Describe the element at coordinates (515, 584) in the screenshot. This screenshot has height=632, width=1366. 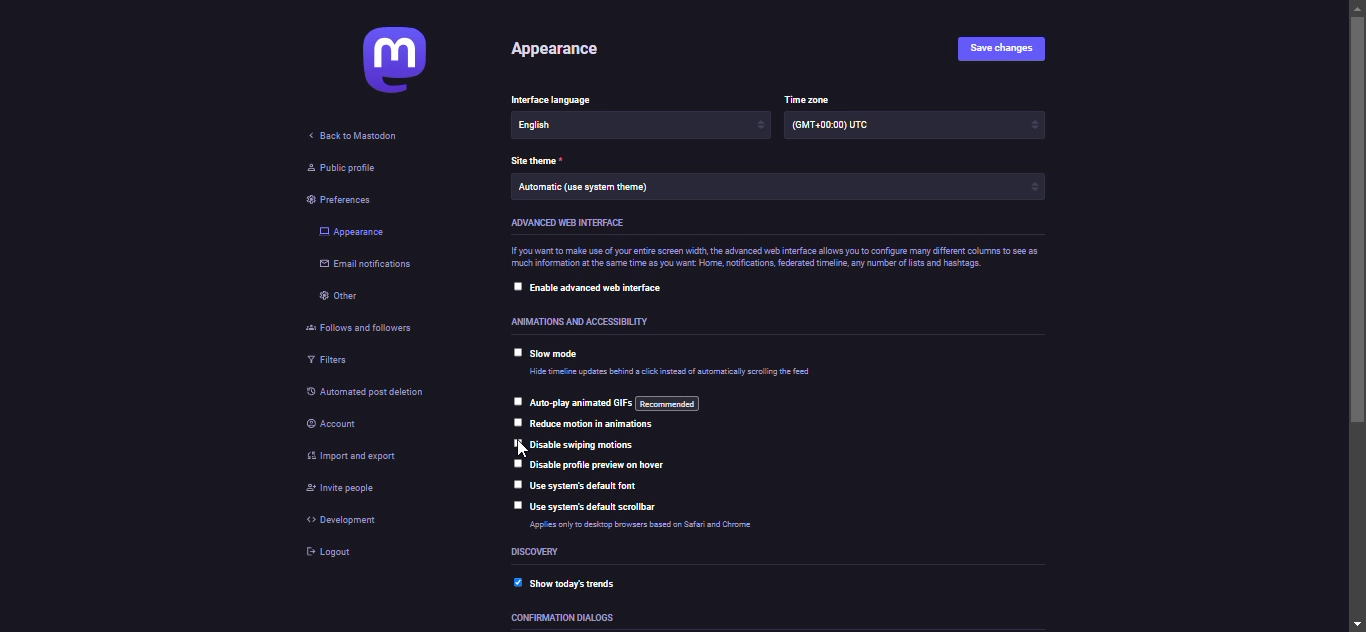
I see `enabled` at that location.